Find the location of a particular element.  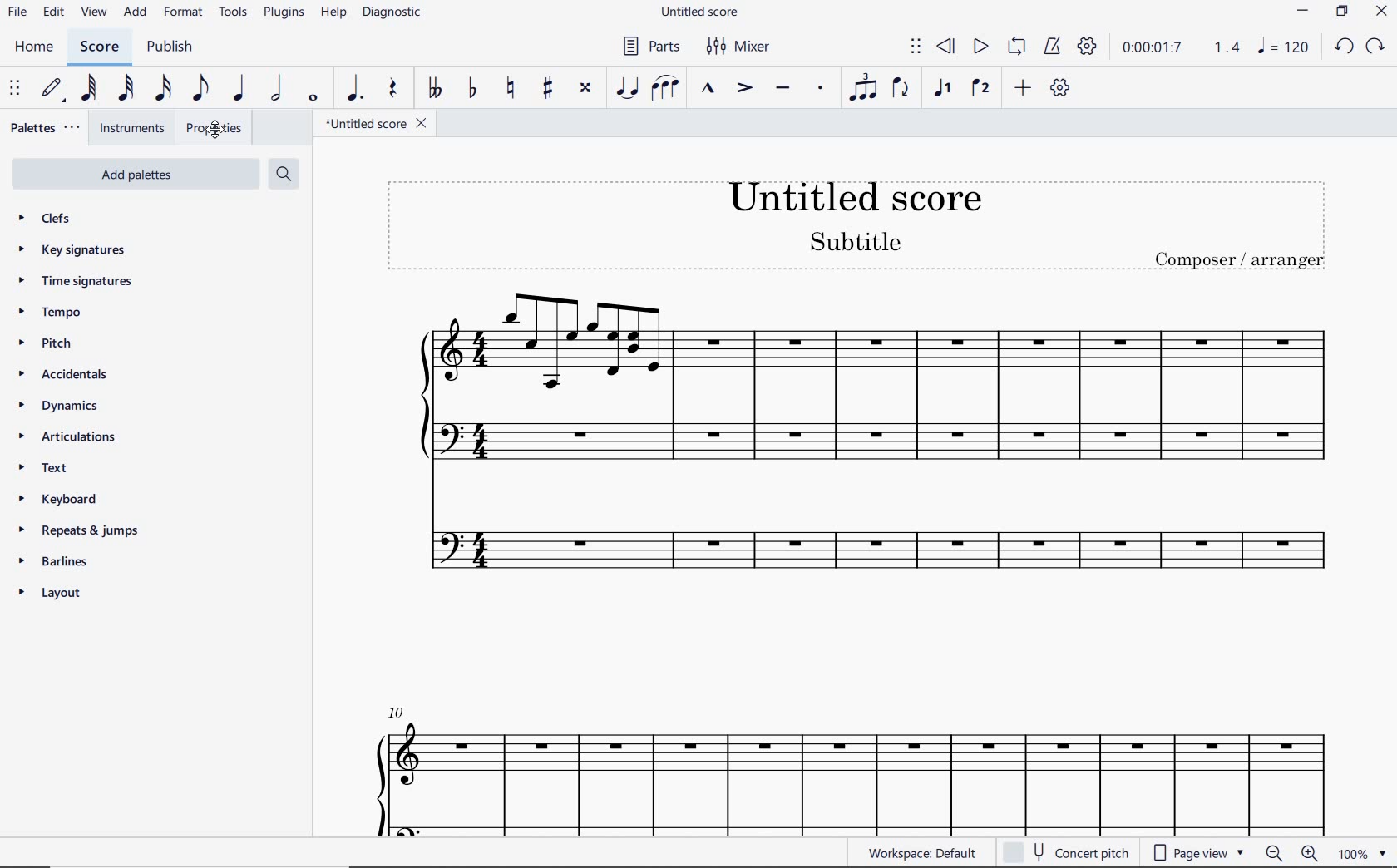

TOGGLE NATURAL is located at coordinates (514, 87).